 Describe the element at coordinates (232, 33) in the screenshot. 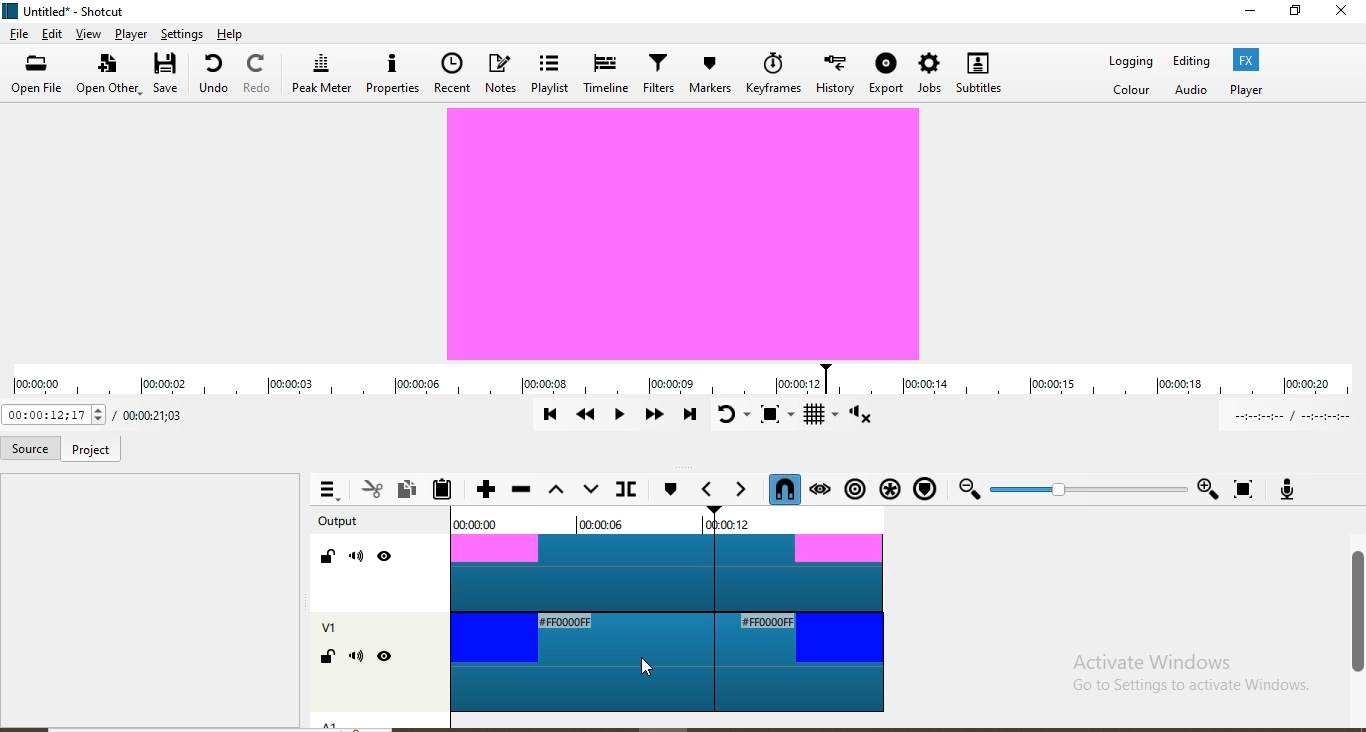

I see `help` at that location.